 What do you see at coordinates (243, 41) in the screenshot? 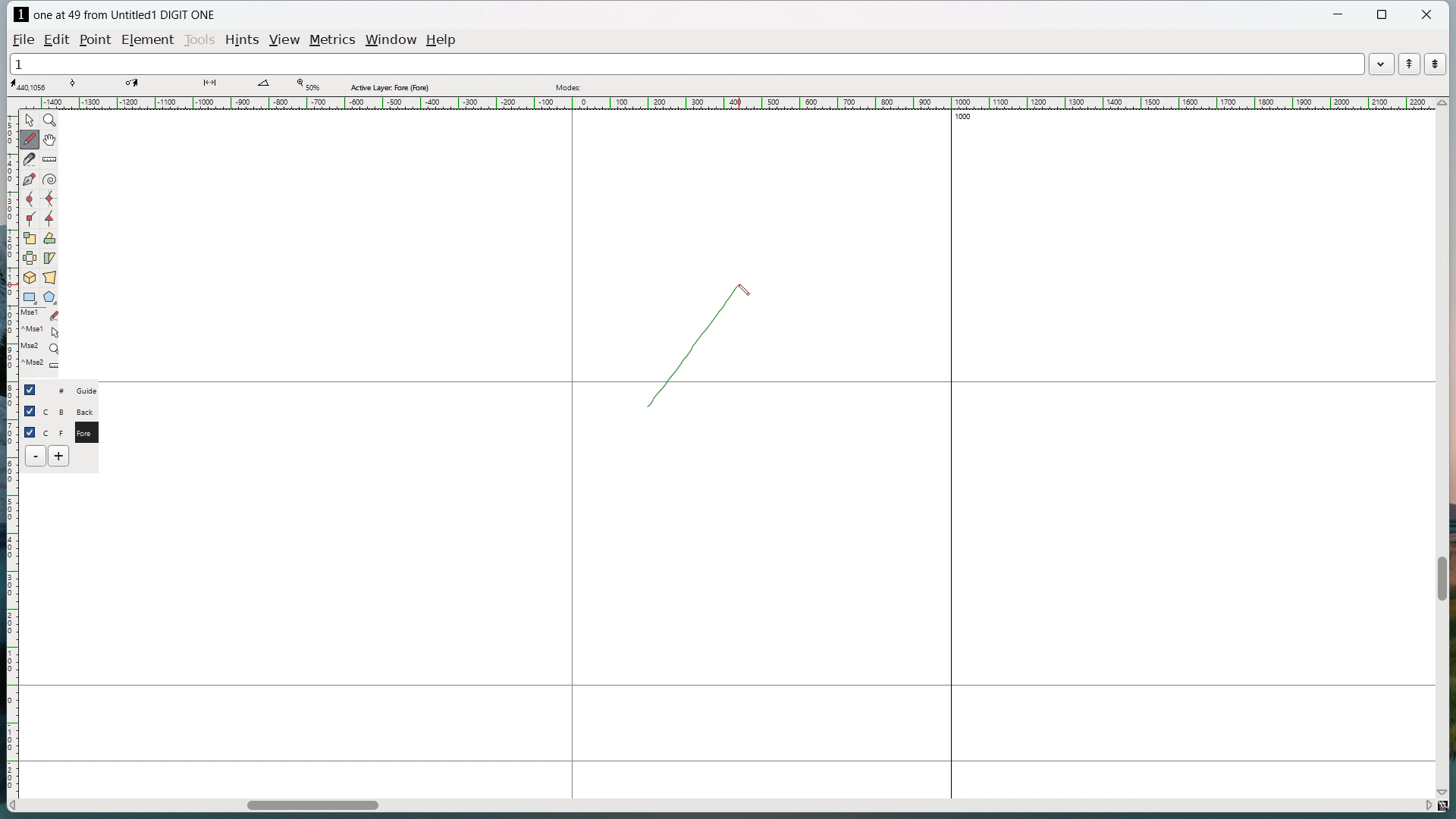
I see `hints` at bounding box center [243, 41].